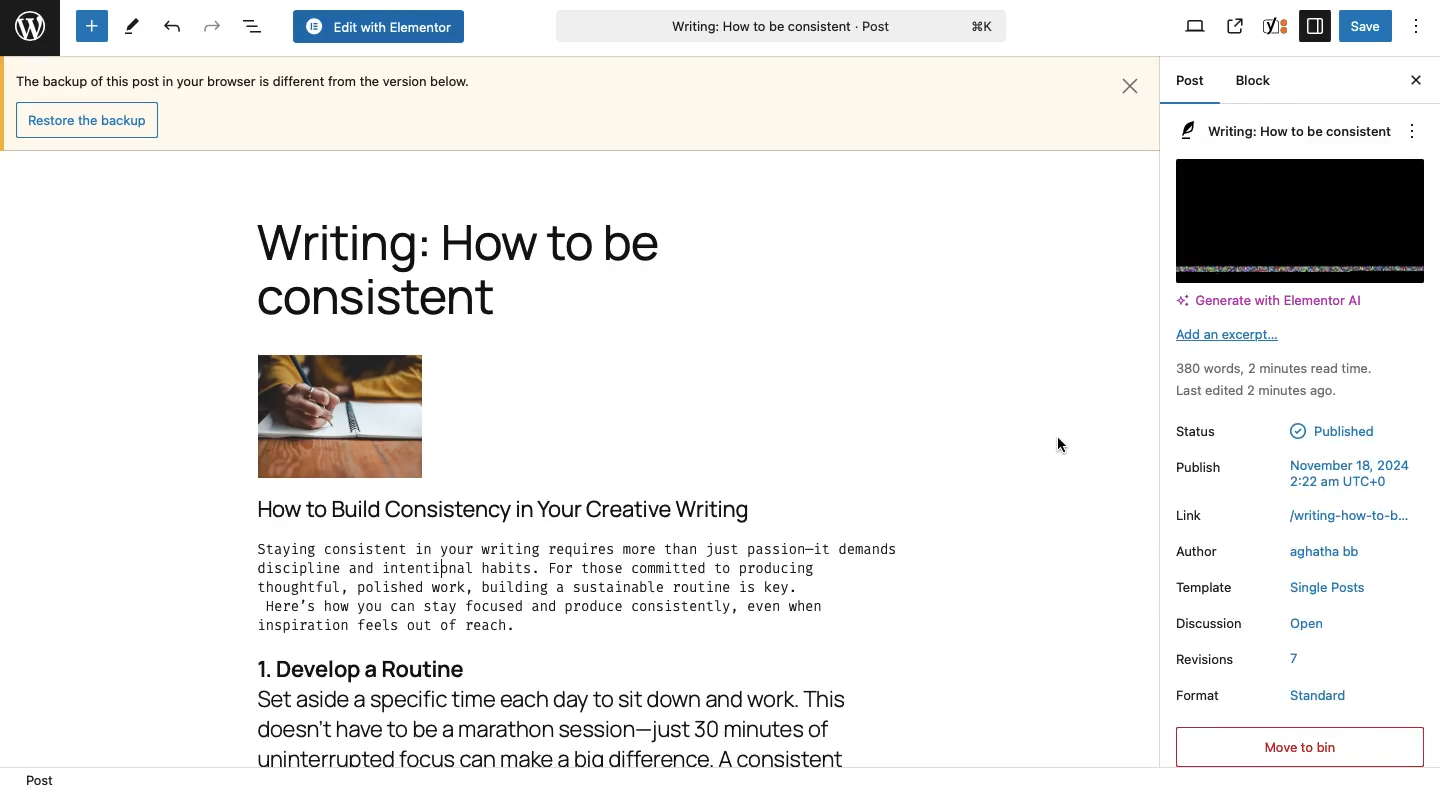  Describe the element at coordinates (377, 27) in the screenshot. I see `Edit with elementor` at that location.